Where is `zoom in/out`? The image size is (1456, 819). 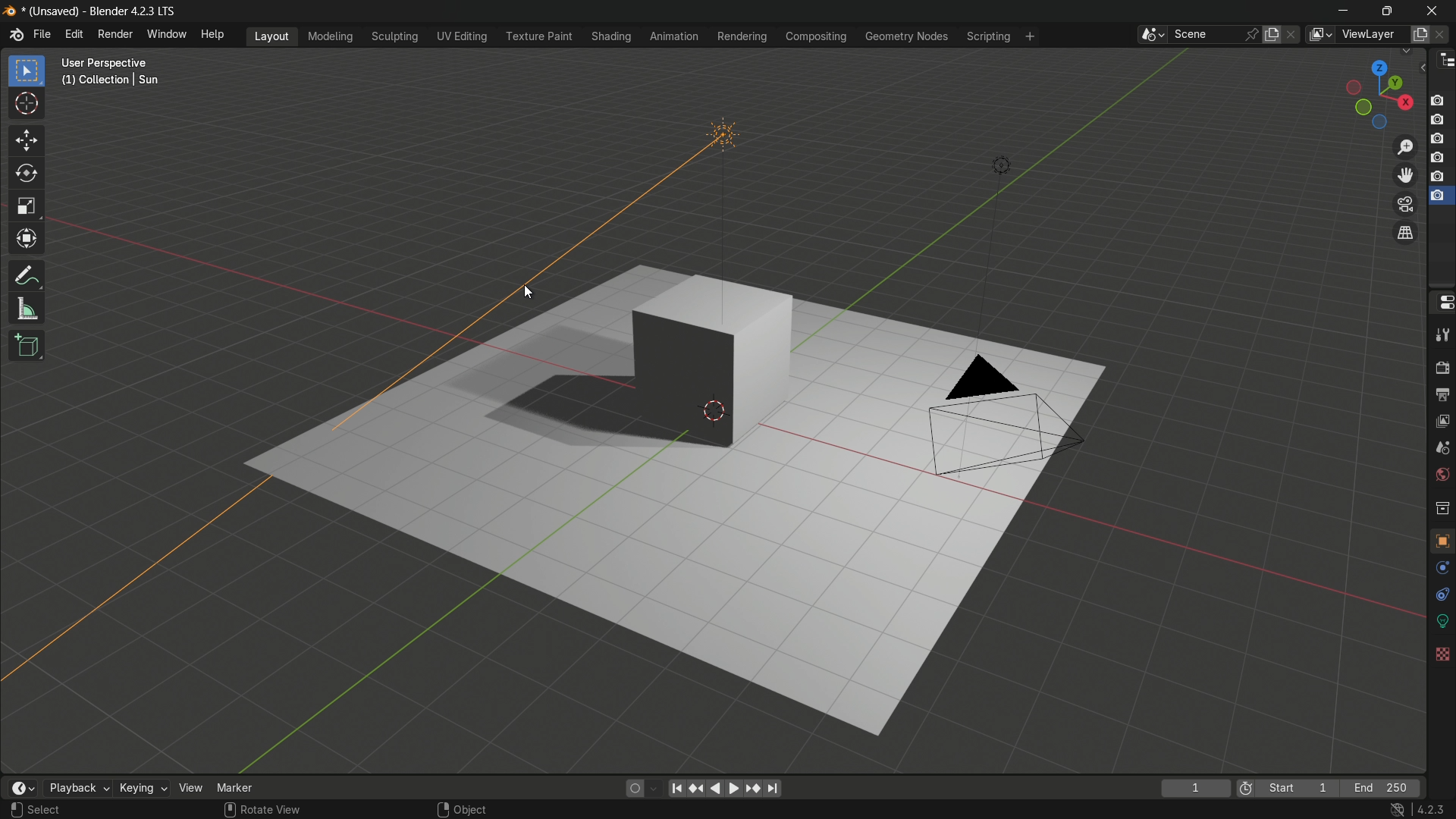
zoom in/out is located at coordinates (1406, 147).